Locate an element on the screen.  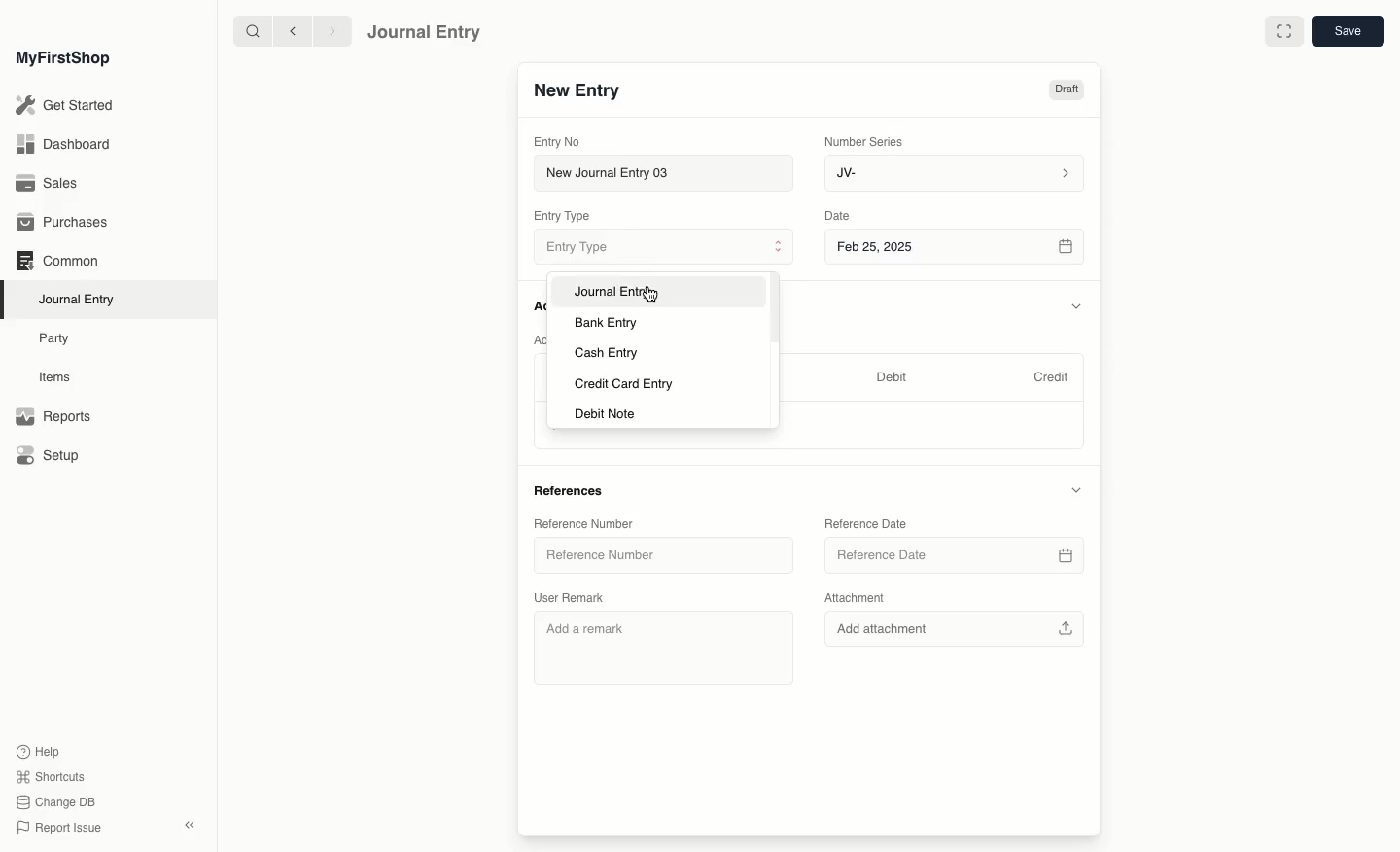
Shortcuts is located at coordinates (48, 775).